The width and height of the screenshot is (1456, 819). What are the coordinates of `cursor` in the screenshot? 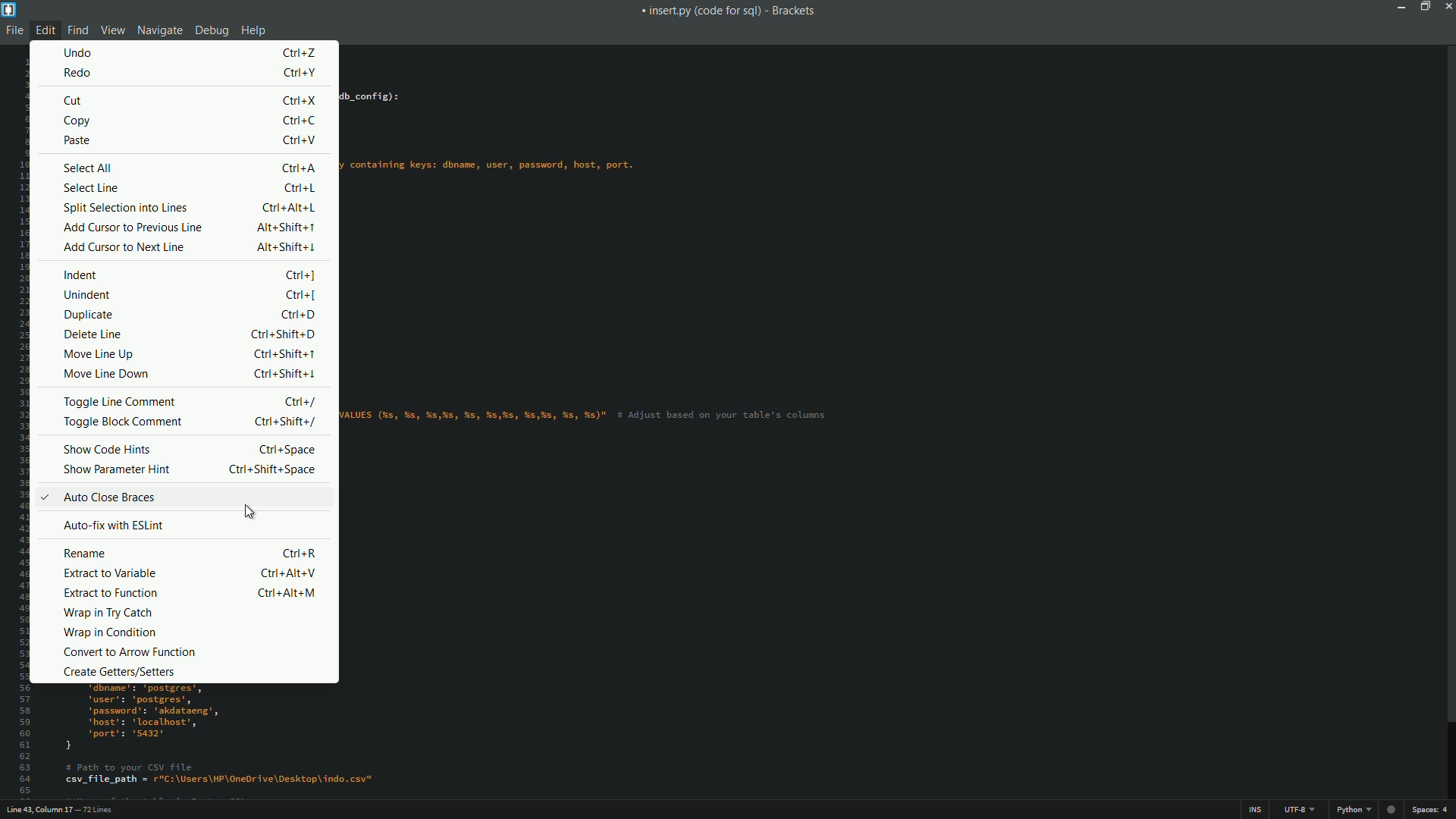 It's located at (248, 513).